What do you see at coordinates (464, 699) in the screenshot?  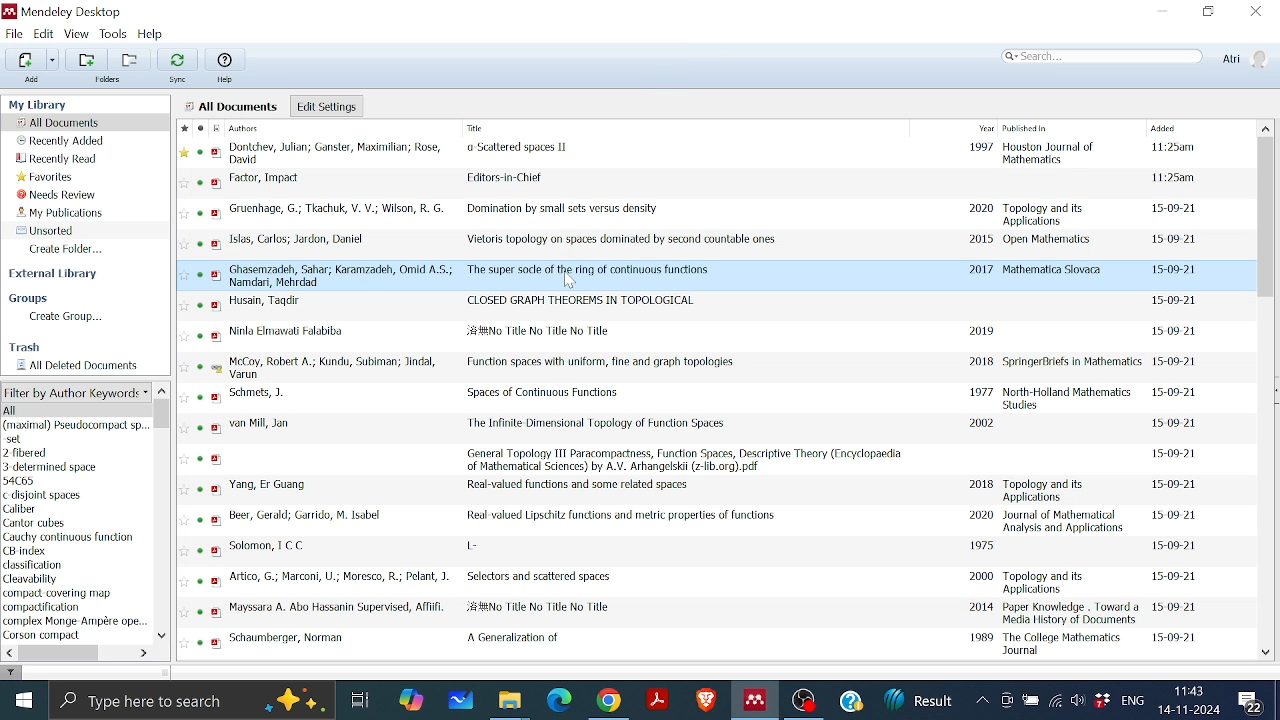 I see `Whiteboard` at bounding box center [464, 699].